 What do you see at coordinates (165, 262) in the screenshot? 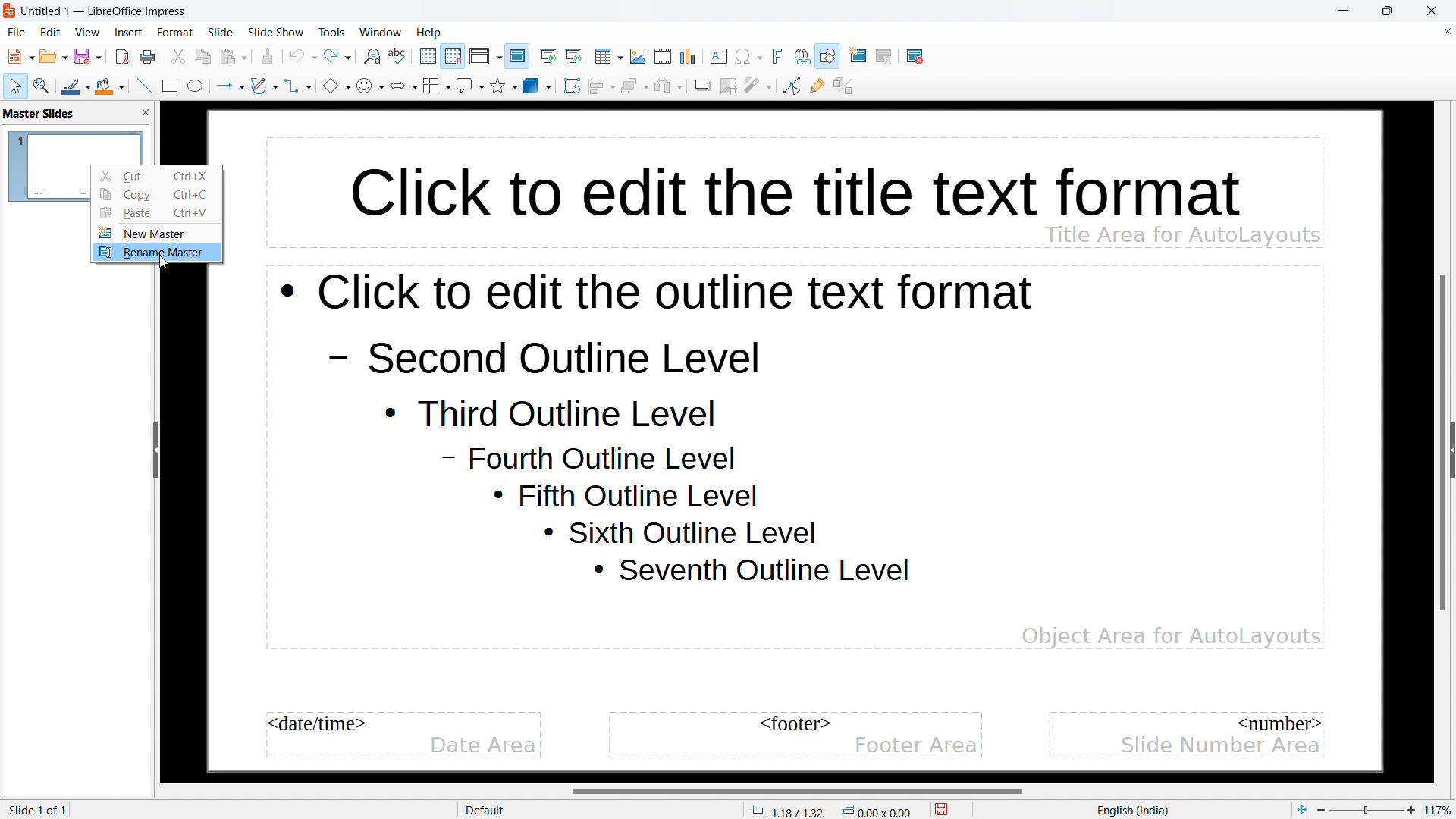
I see `cursor` at bounding box center [165, 262].